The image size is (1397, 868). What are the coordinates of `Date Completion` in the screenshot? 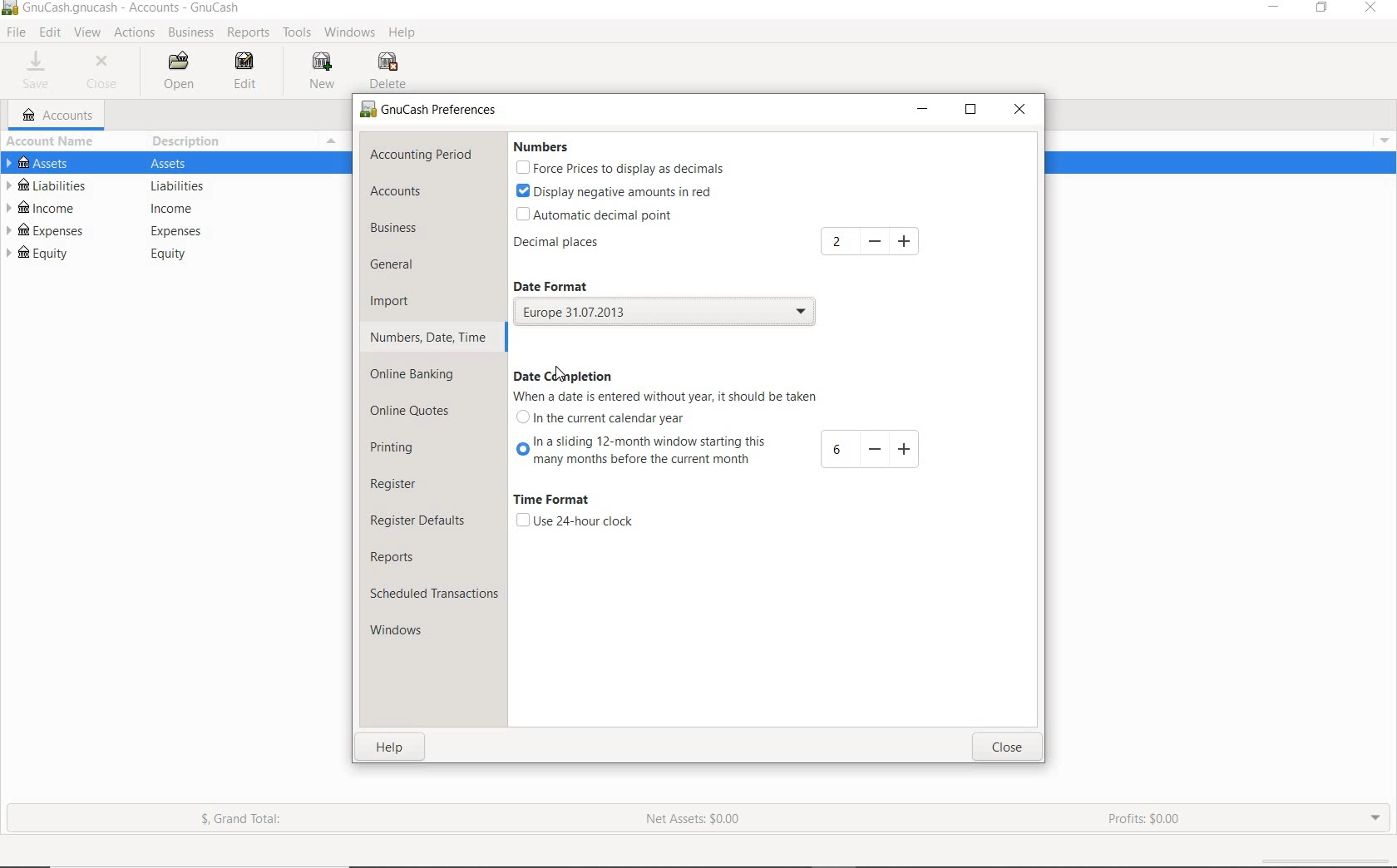 It's located at (570, 370).